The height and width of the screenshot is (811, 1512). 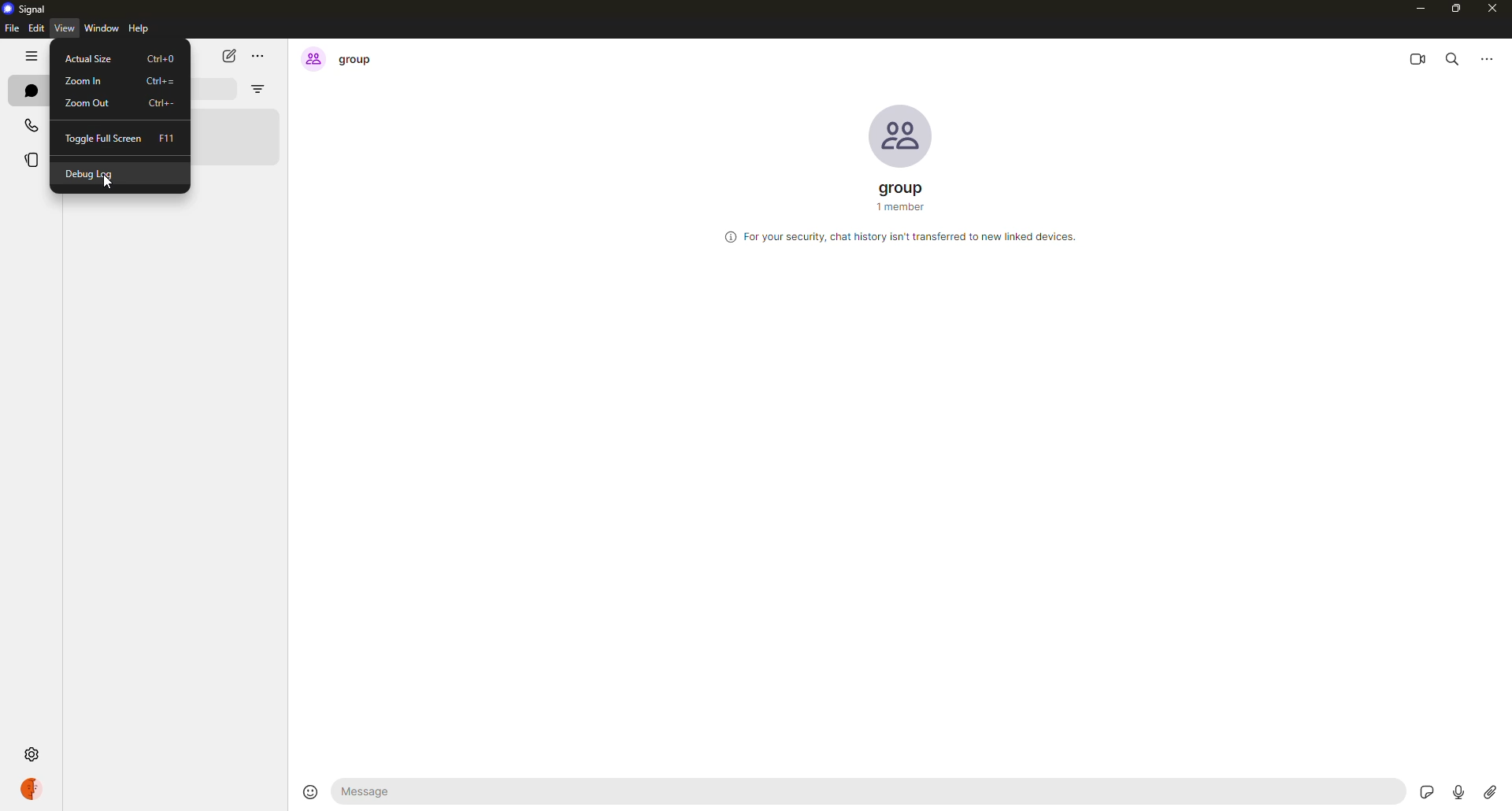 I want to click on shortcut, so click(x=166, y=139).